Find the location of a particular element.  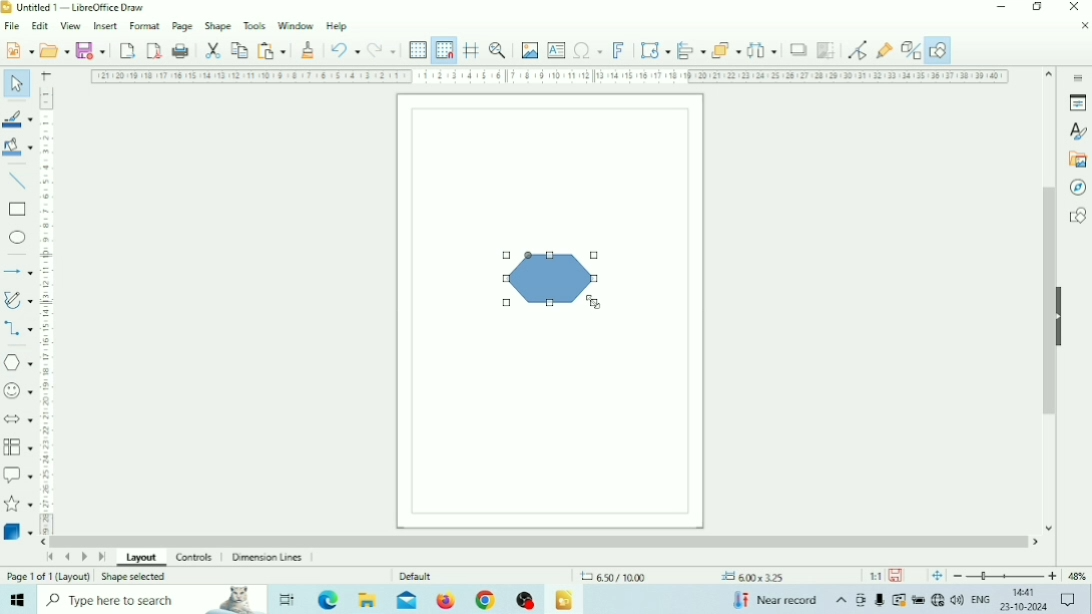

Save is located at coordinates (91, 49).